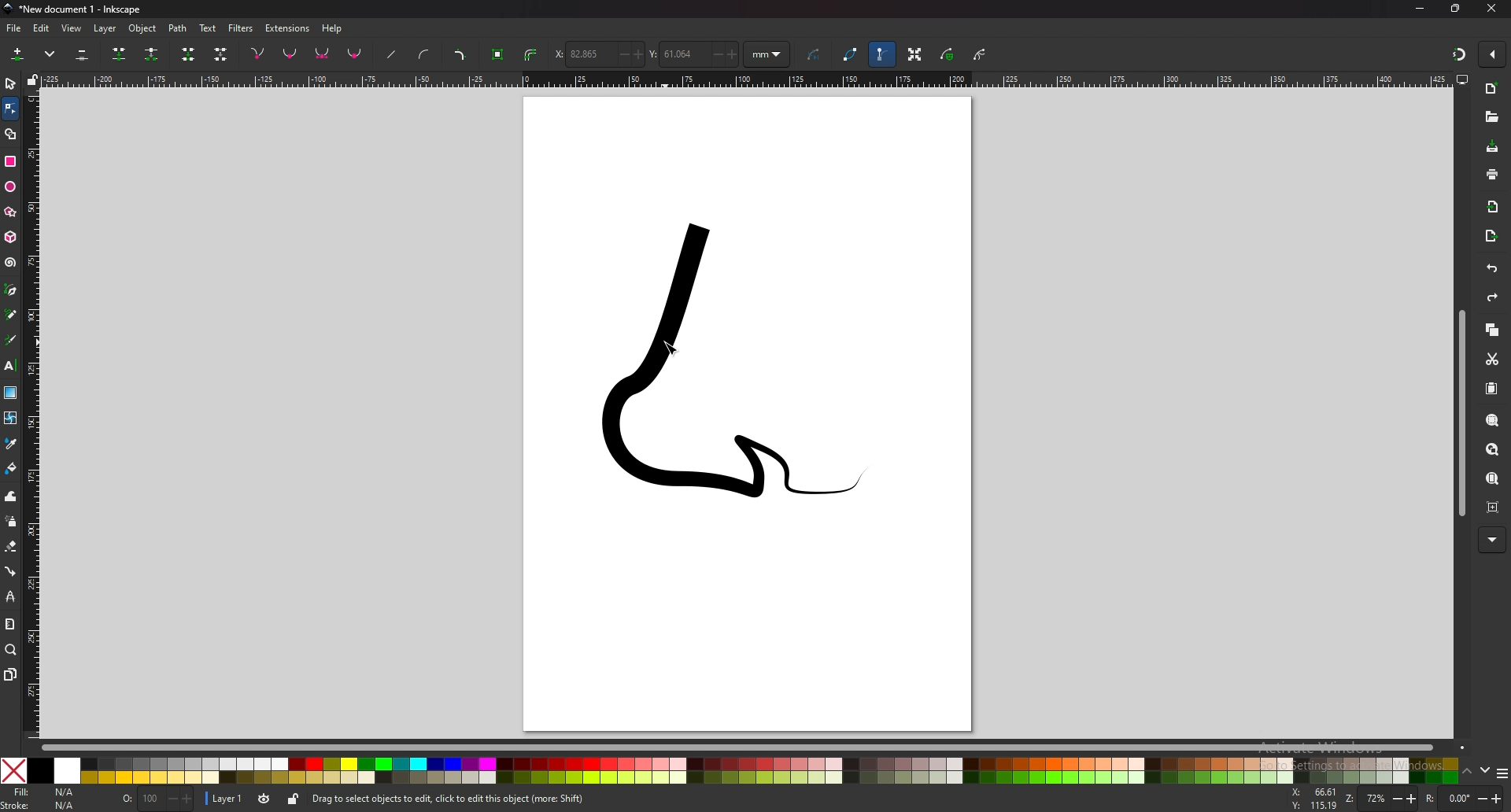  I want to click on filters, so click(242, 27).